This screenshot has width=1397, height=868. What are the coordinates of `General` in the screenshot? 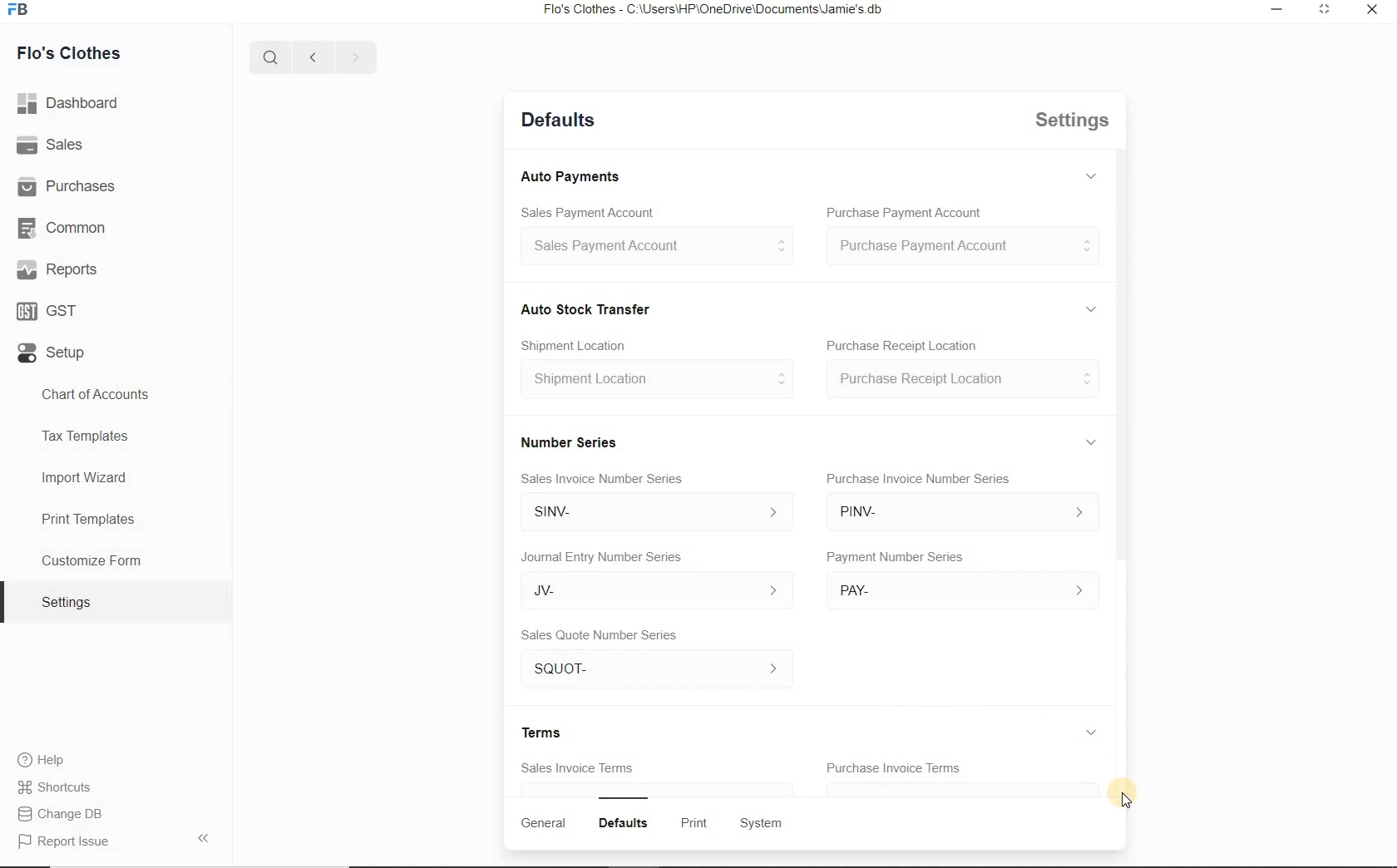 It's located at (543, 822).